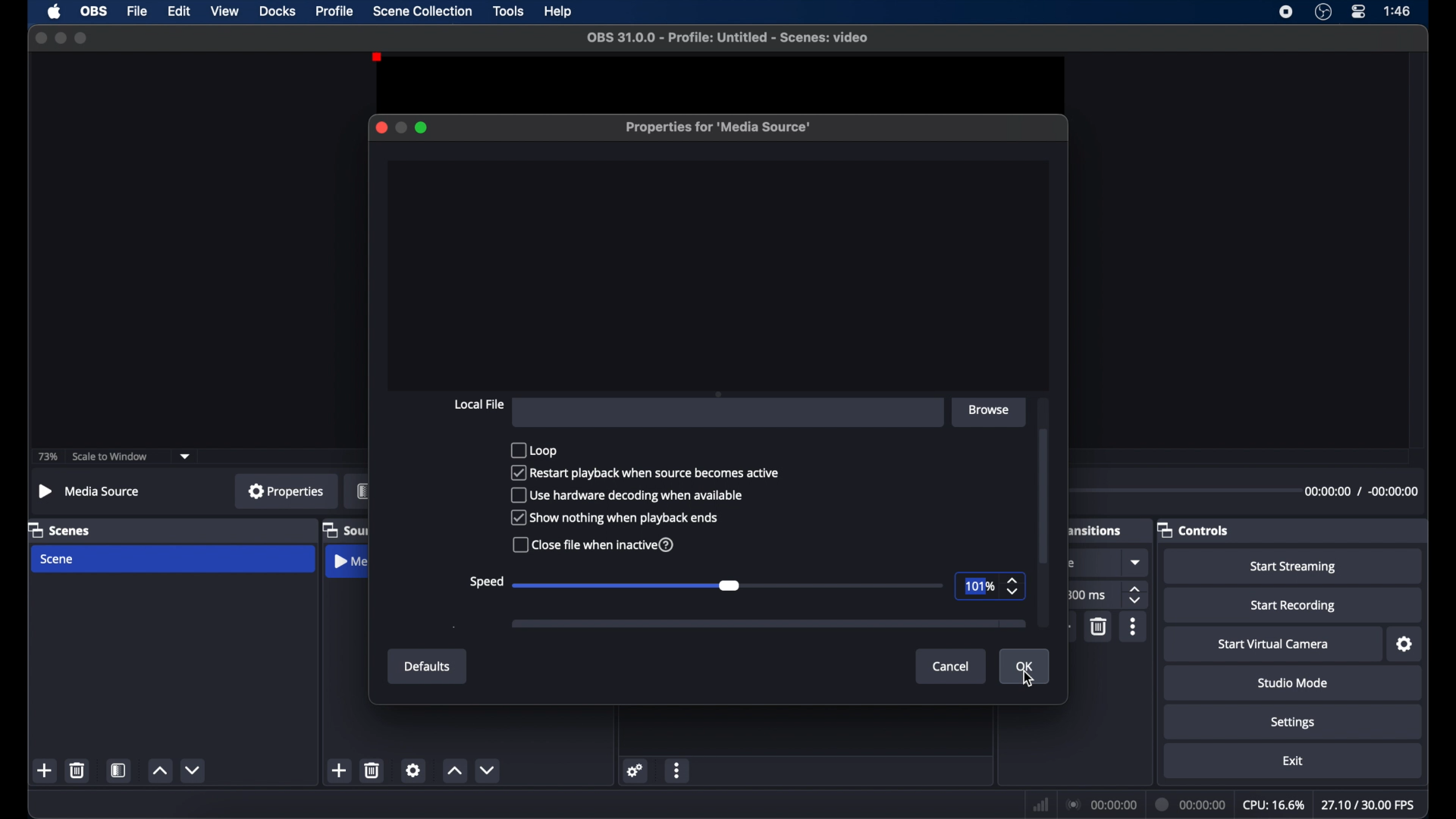 The width and height of the screenshot is (1456, 819). What do you see at coordinates (1405, 645) in the screenshot?
I see `settings` at bounding box center [1405, 645].